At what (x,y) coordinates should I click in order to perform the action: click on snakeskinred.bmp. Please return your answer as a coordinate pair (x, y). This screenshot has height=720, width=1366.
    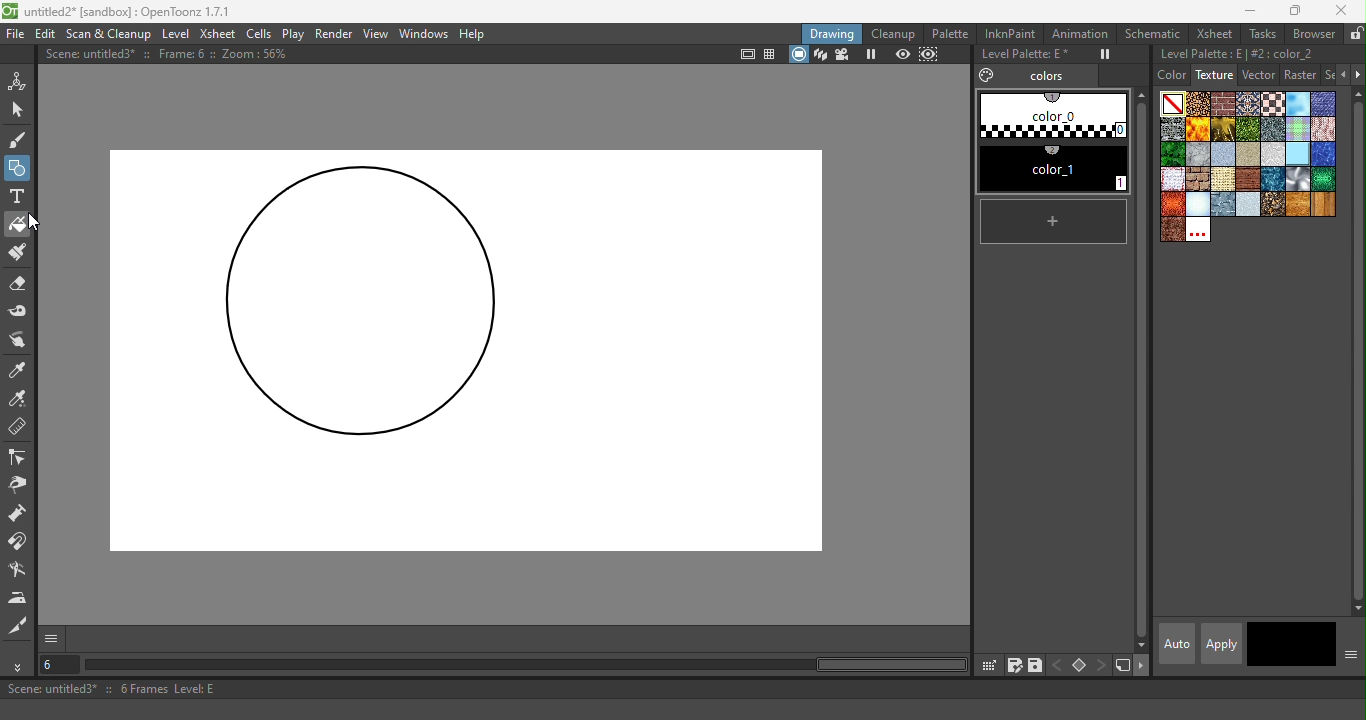
    Looking at the image, I should click on (1172, 205).